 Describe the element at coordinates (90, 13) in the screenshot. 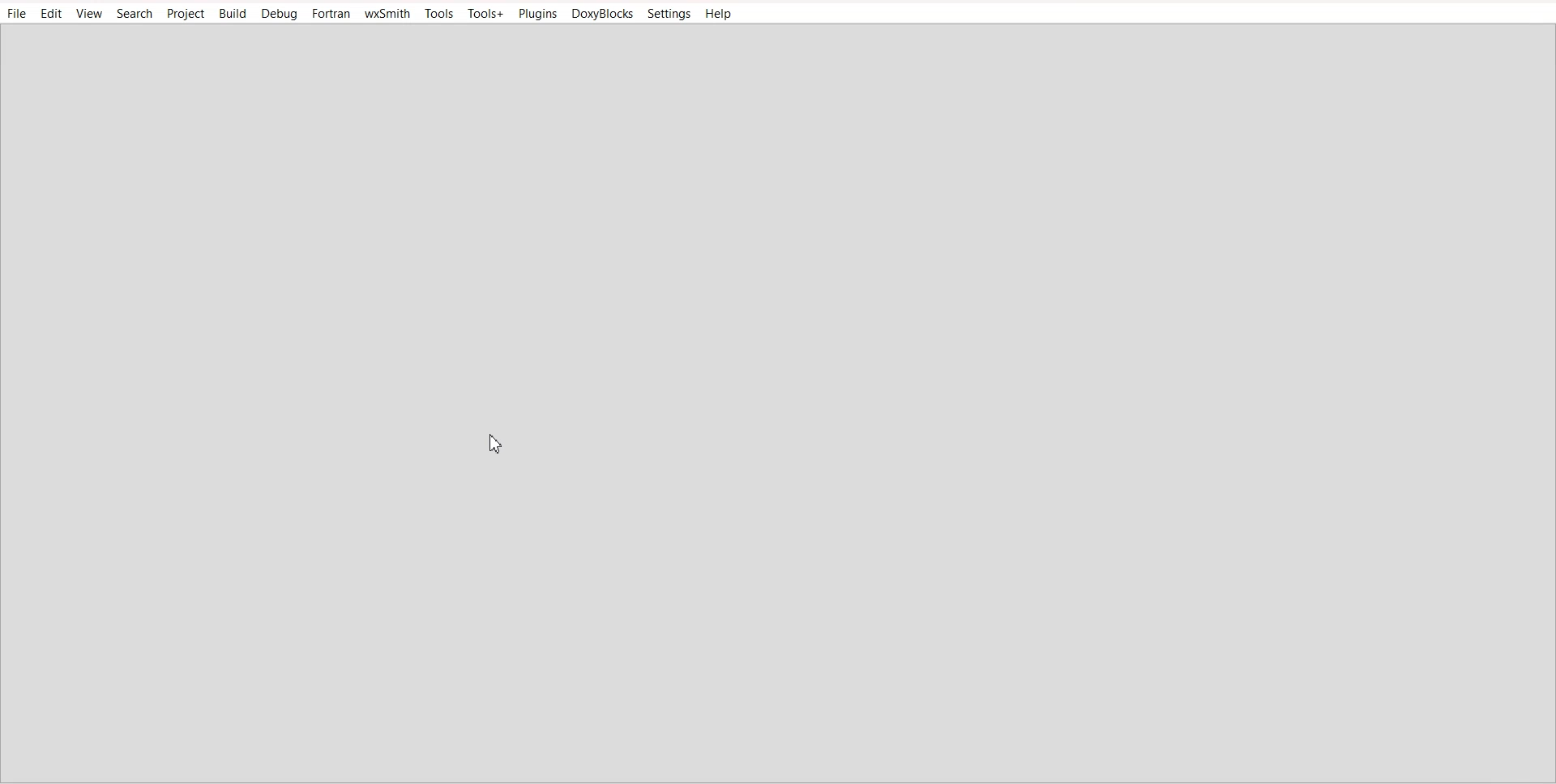

I see `View` at that location.